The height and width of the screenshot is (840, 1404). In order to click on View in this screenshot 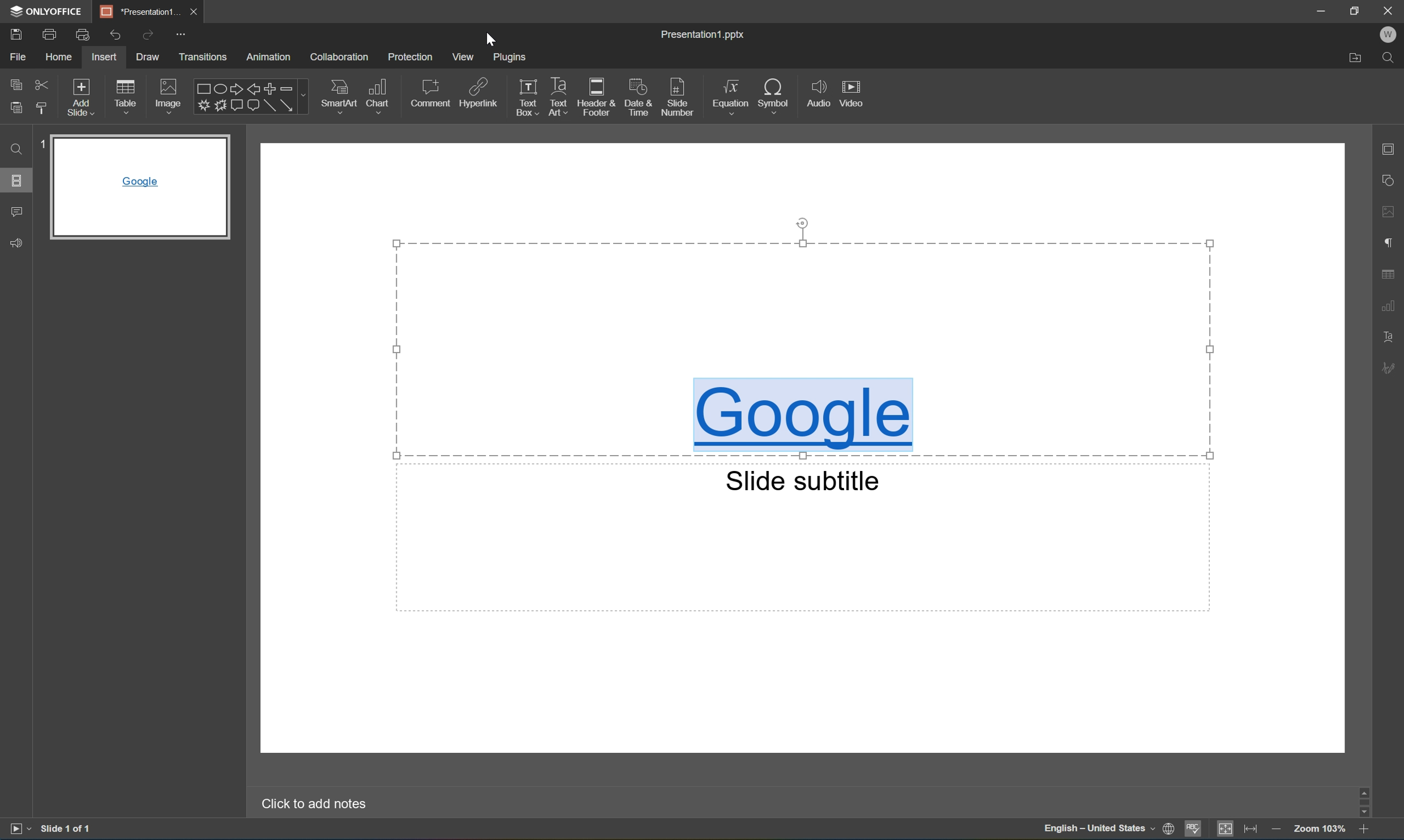, I will do `click(463, 57)`.